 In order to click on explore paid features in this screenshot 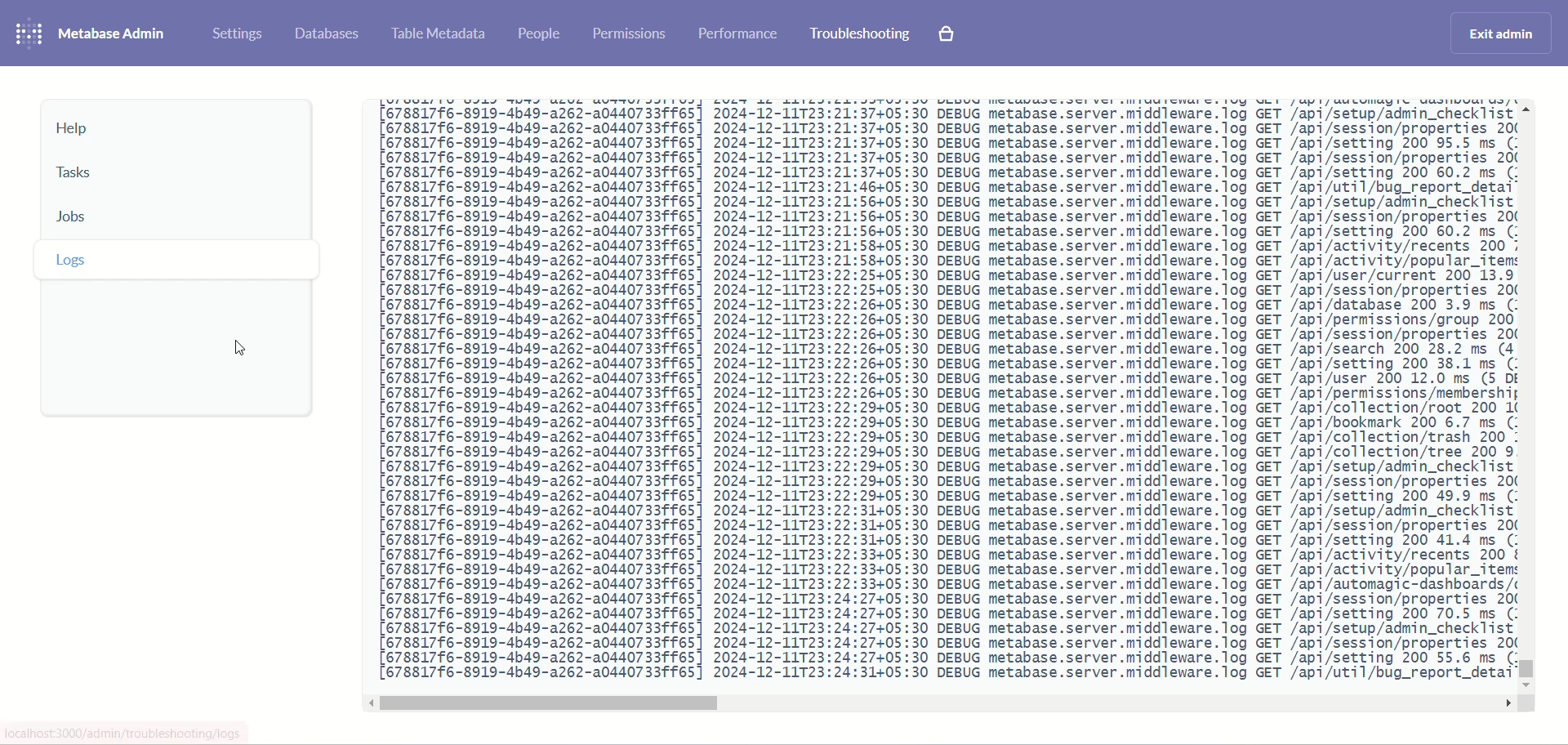, I will do `click(948, 34)`.